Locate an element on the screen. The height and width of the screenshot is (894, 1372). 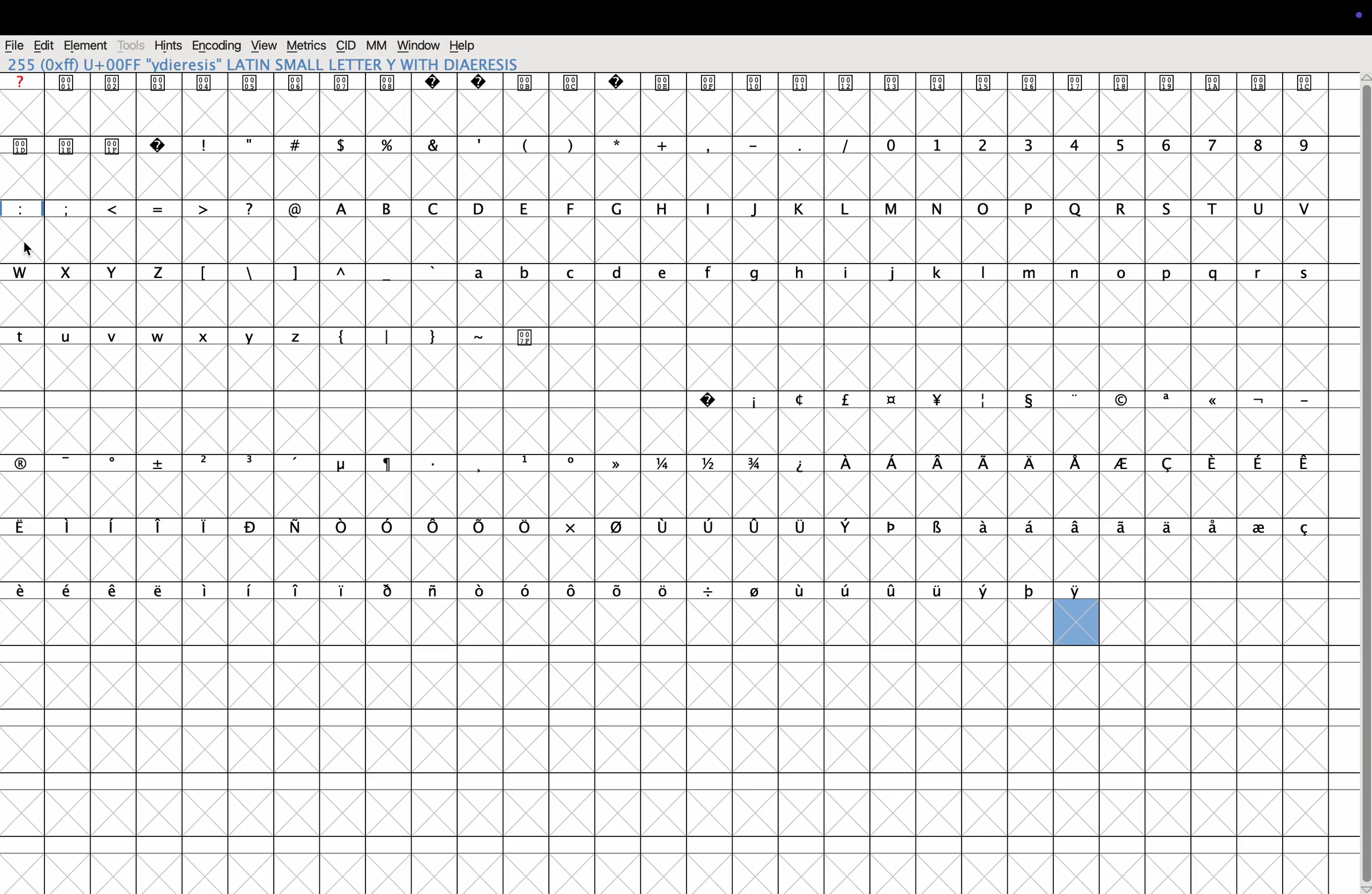
view is located at coordinates (265, 46).